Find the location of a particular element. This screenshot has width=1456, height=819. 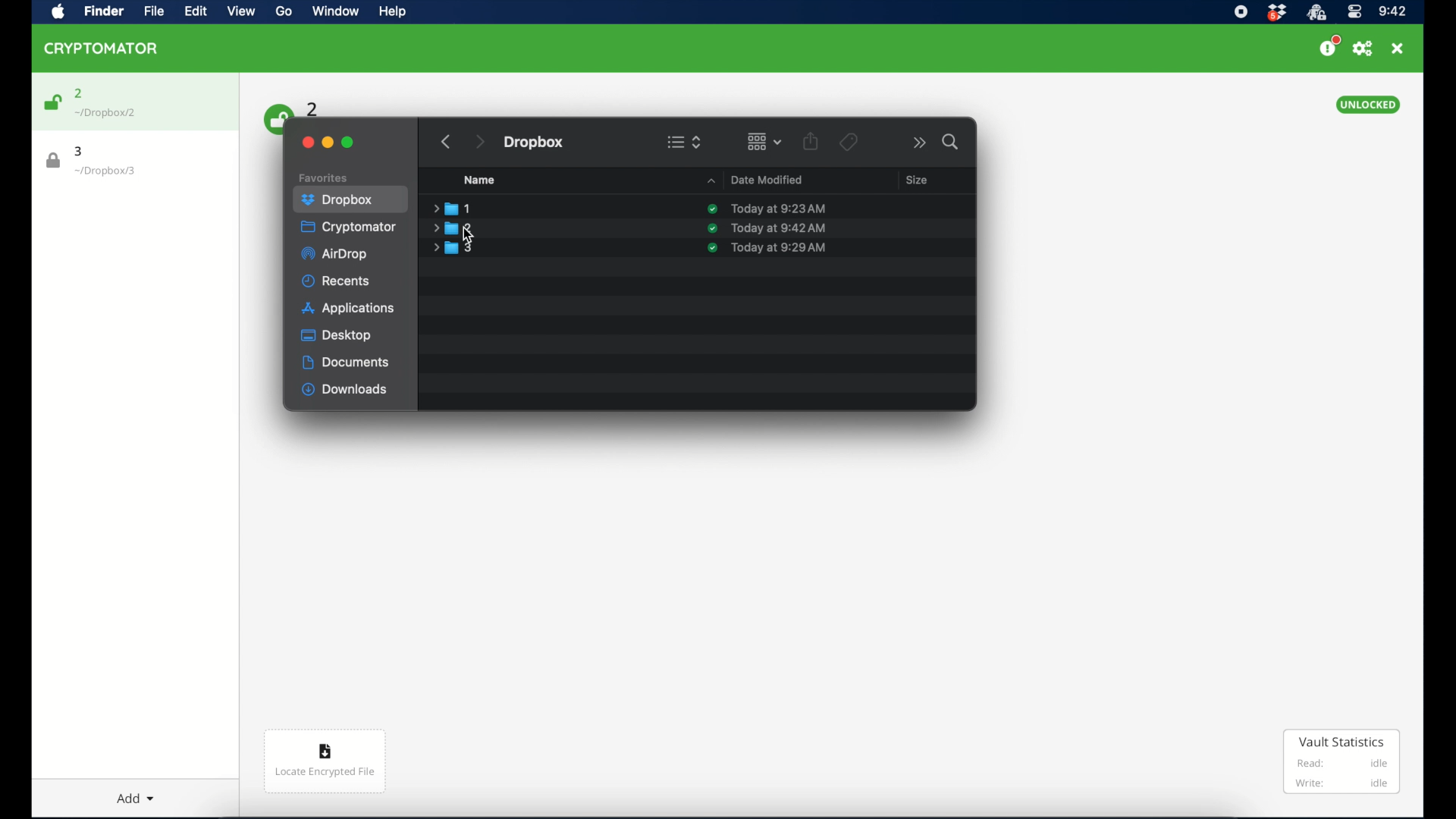

3 is located at coordinates (80, 151).